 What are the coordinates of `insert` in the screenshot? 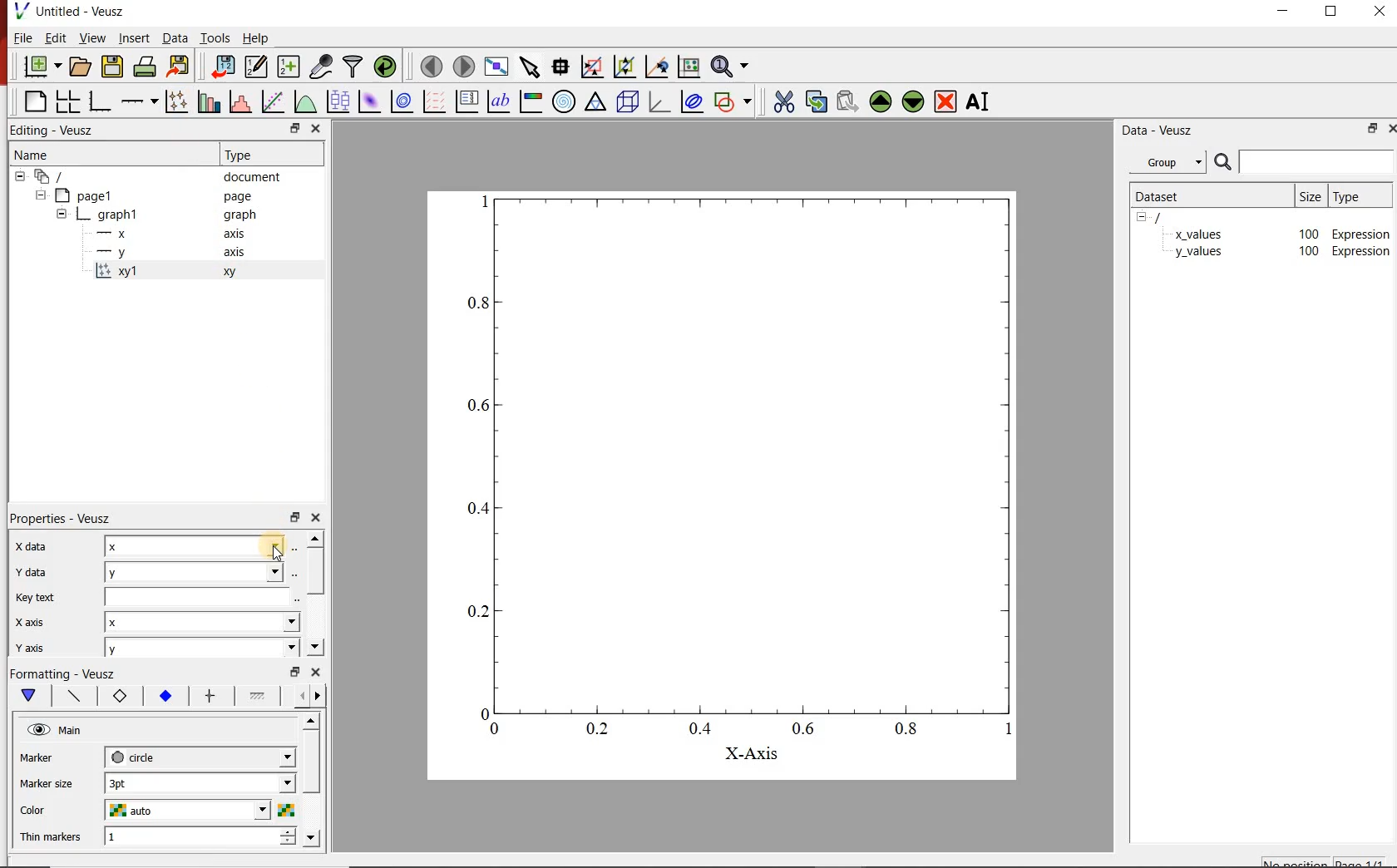 It's located at (134, 37).